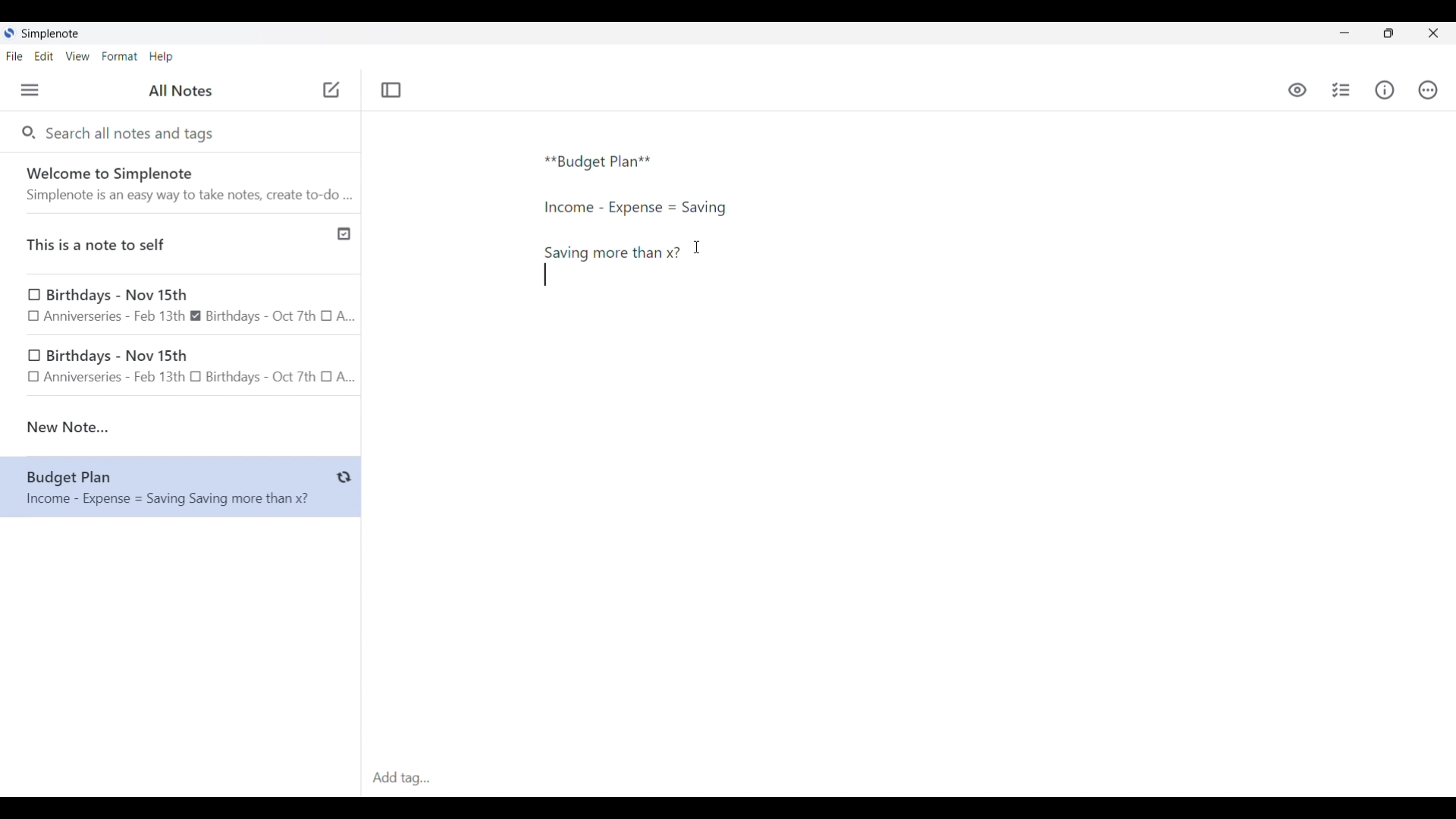  What do you see at coordinates (634, 208) in the screenshot?
I see `More text typed in` at bounding box center [634, 208].